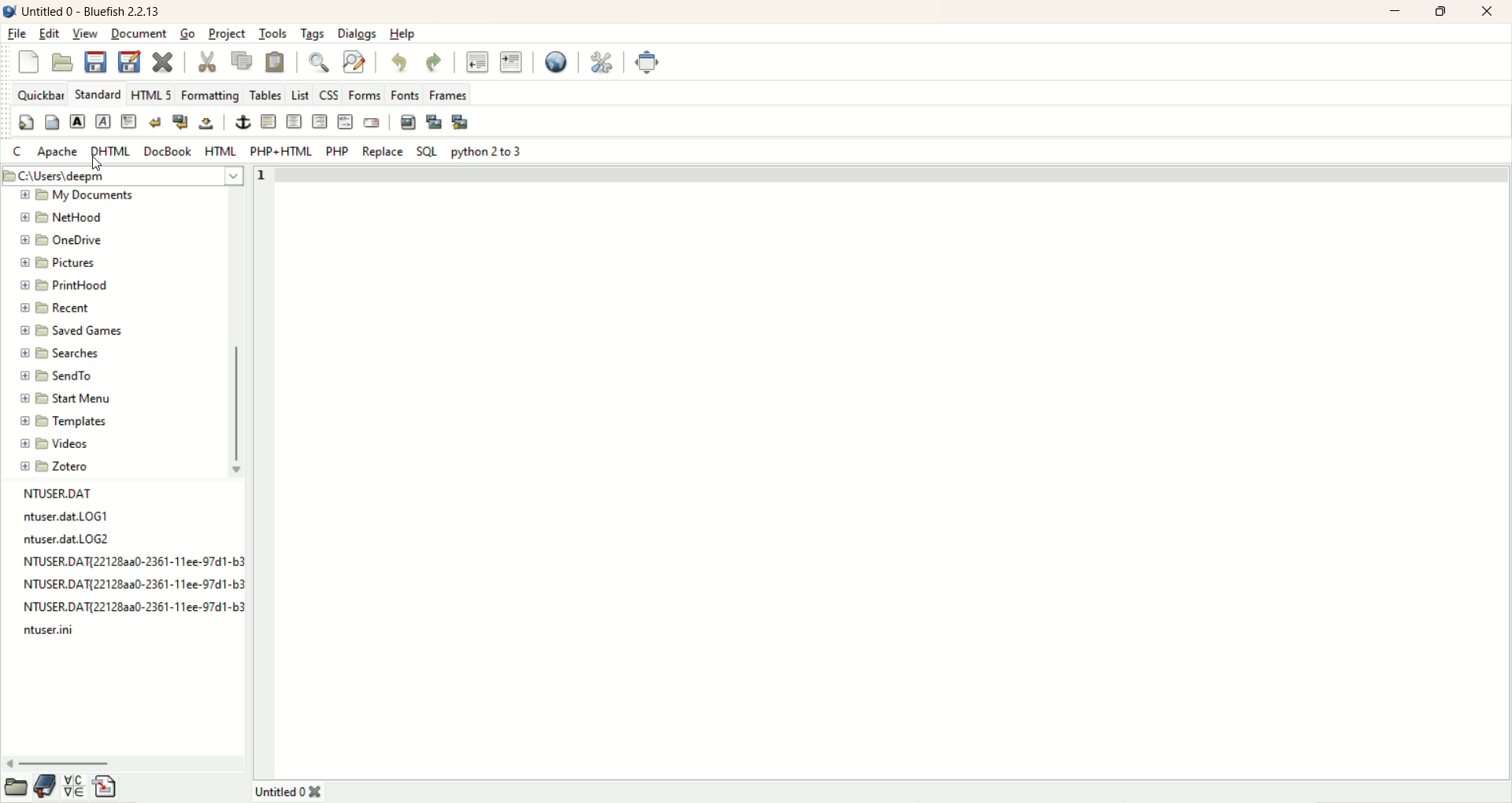 This screenshot has height=803, width=1512. Describe the element at coordinates (240, 60) in the screenshot. I see `copy` at that location.